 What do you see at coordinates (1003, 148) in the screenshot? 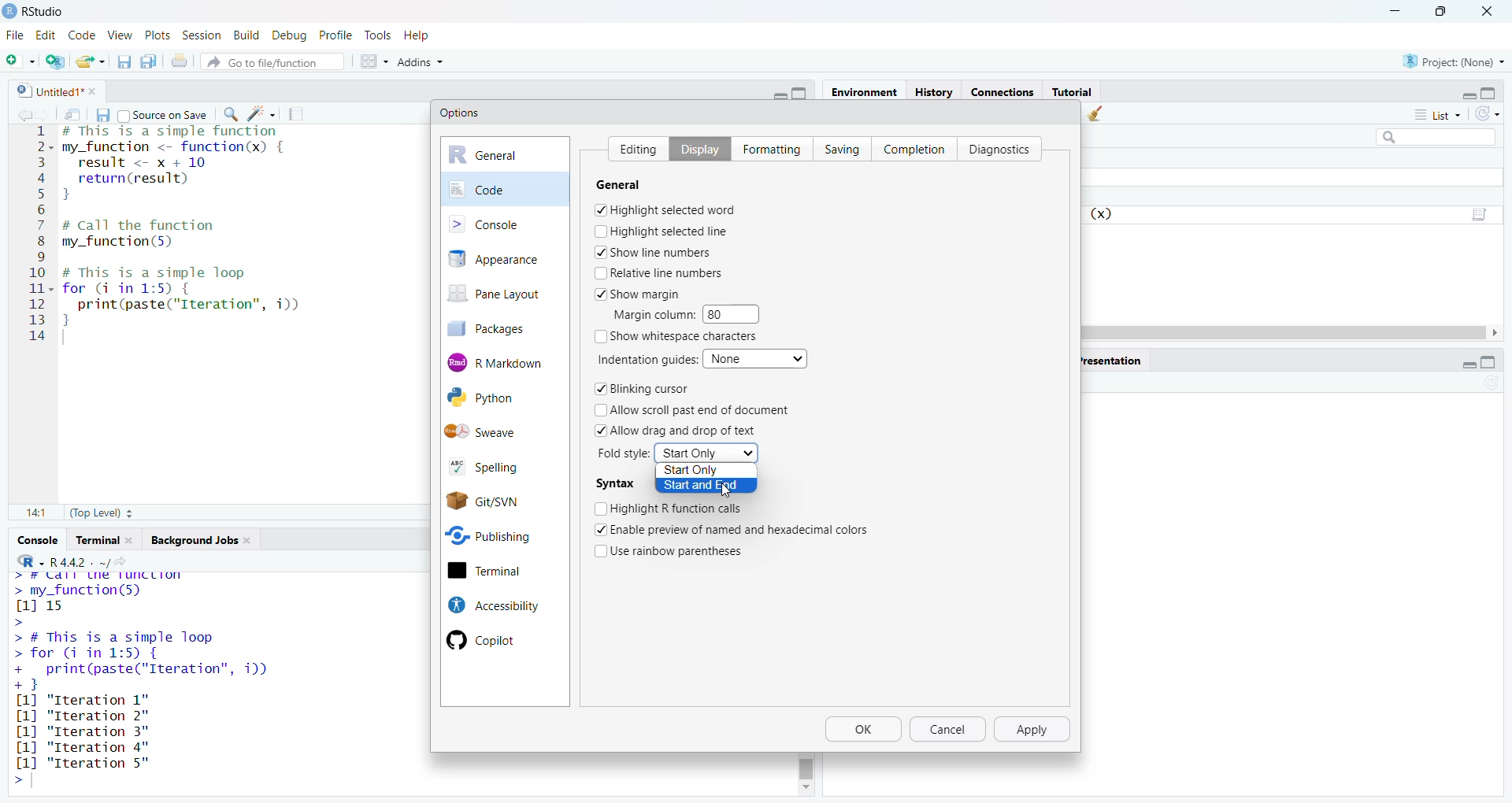
I see `diagnostics` at bounding box center [1003, 148].